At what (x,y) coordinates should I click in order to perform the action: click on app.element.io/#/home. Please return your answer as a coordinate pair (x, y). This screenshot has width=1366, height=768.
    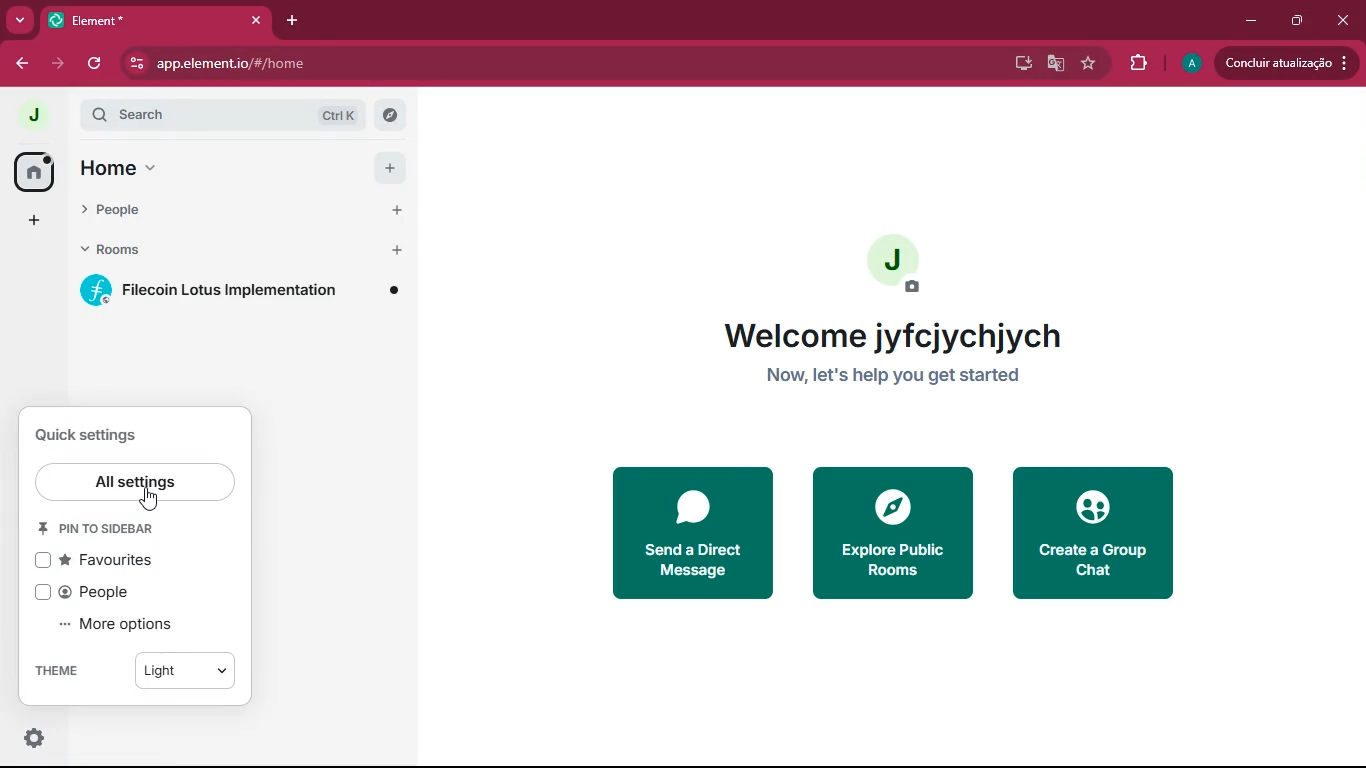
    Looking at the image, I should click on (324, 63).